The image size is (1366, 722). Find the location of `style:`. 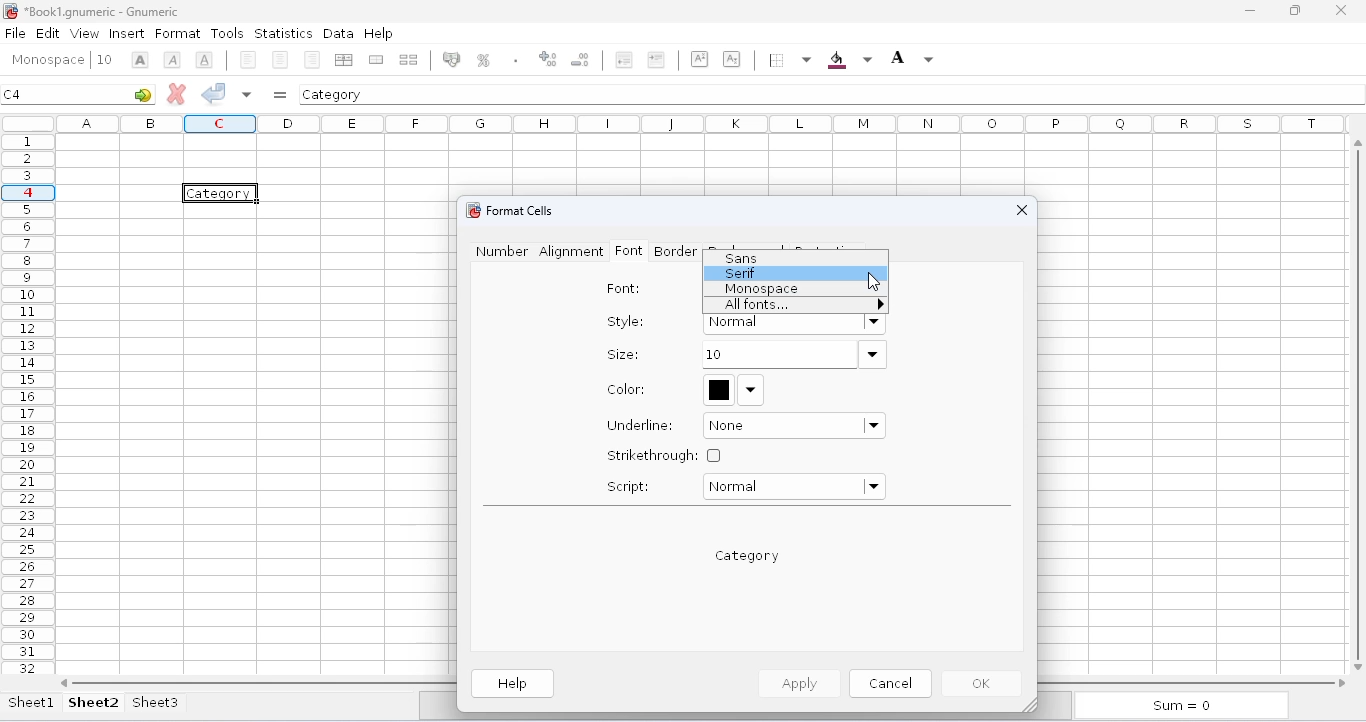

style: is located at coordinates (626, 321).